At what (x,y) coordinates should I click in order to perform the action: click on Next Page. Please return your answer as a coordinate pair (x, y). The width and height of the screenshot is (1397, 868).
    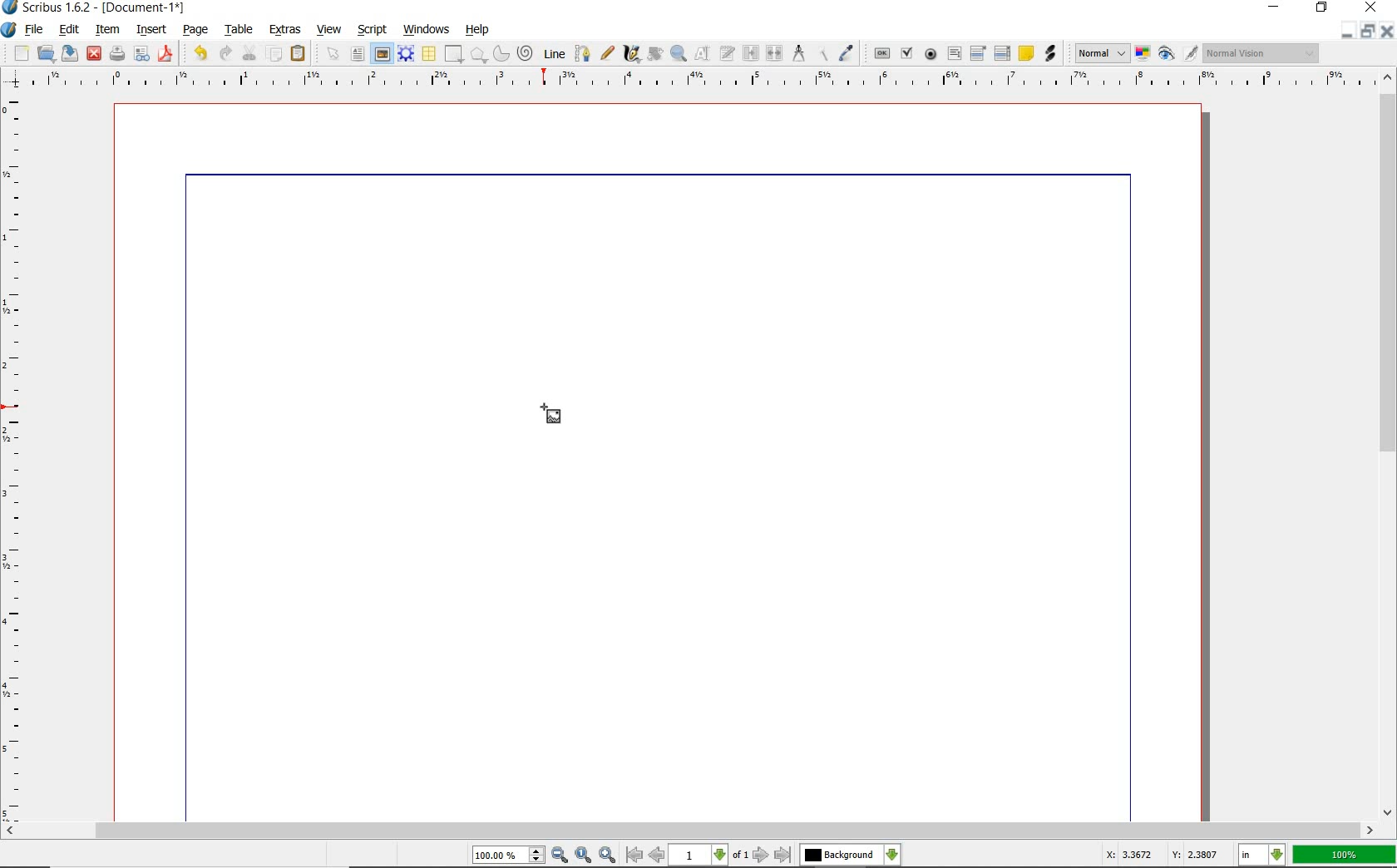
    Looking at the image, I should click on (762, 856).